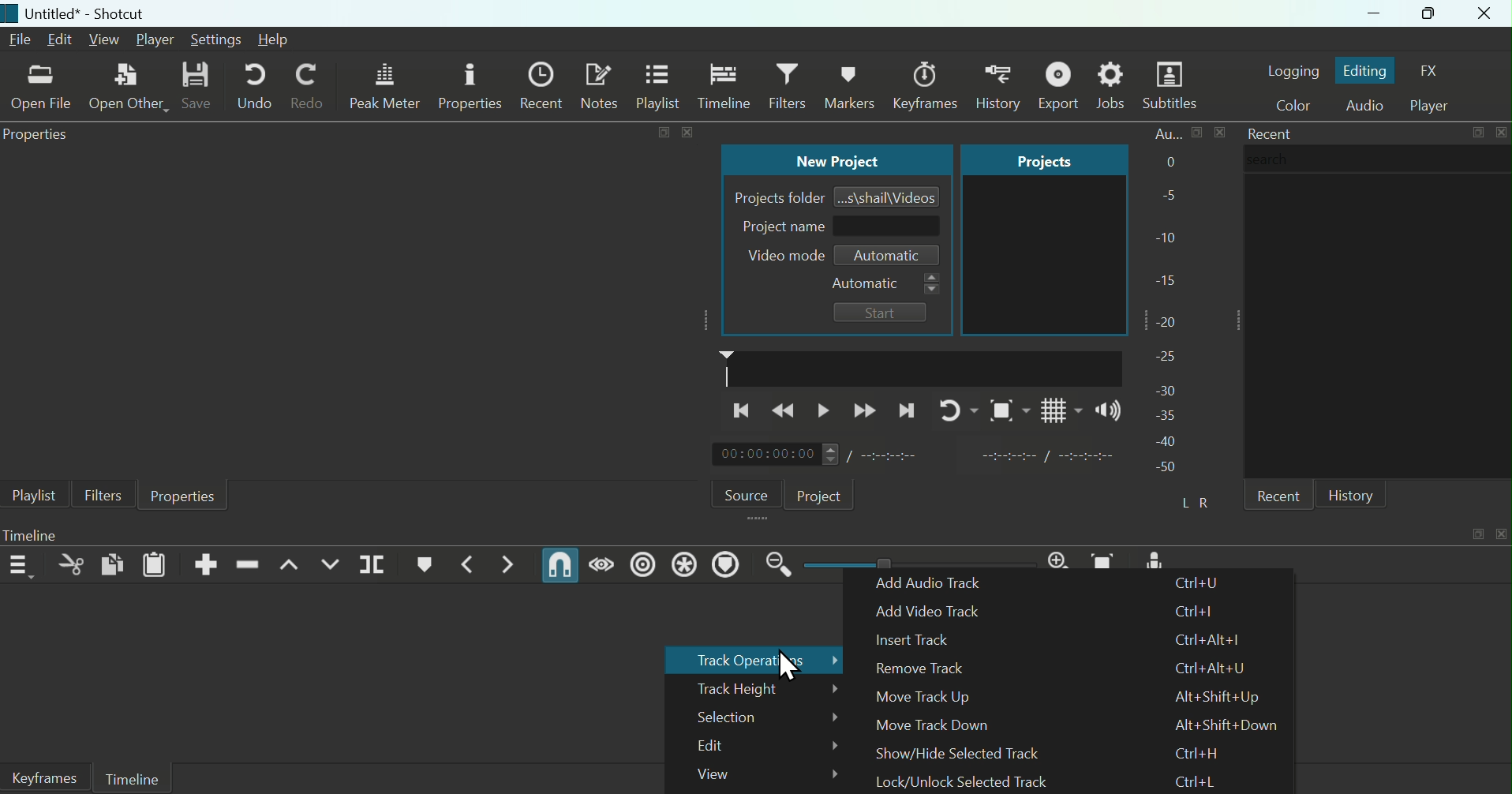 Image resolution: width=1512 pixels, height=794 pixels. I want to click on Help, so click(284, 41).